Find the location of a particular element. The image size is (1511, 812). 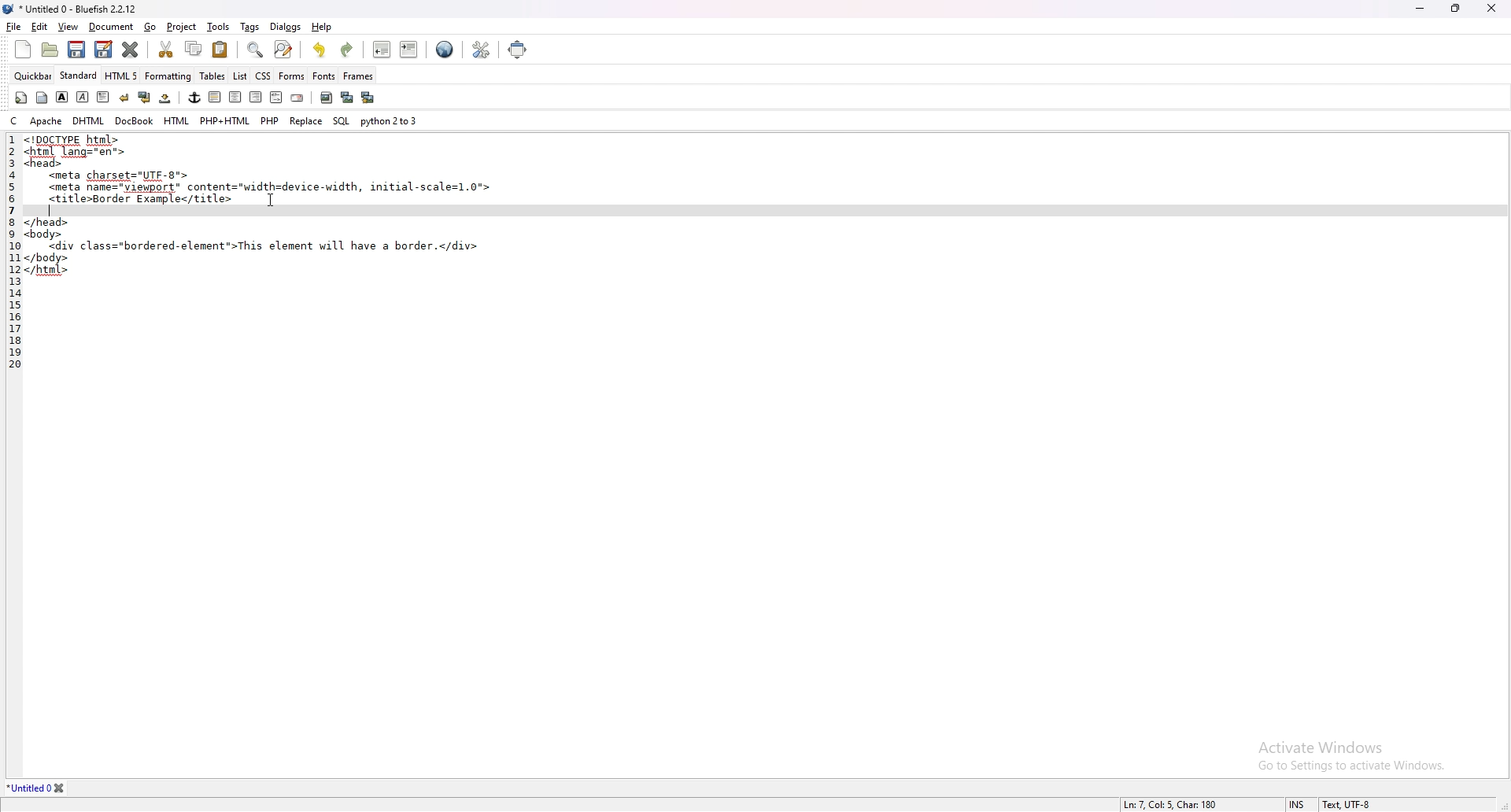

1 2 3 4 5 6 7 8 9 10 11 12 13 14 15 16 17 18 19 20 is located at coordinates (10, 256).